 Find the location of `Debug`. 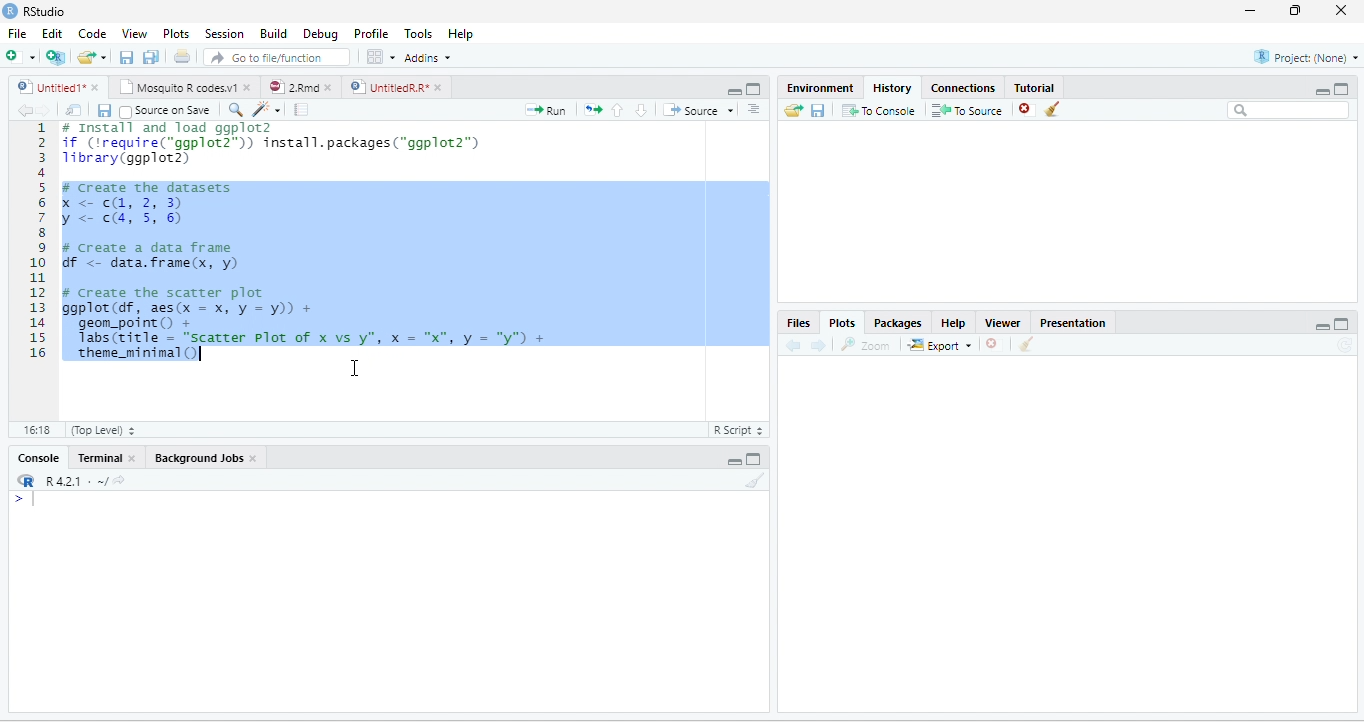

Debug is located at coordinates (320, 33).